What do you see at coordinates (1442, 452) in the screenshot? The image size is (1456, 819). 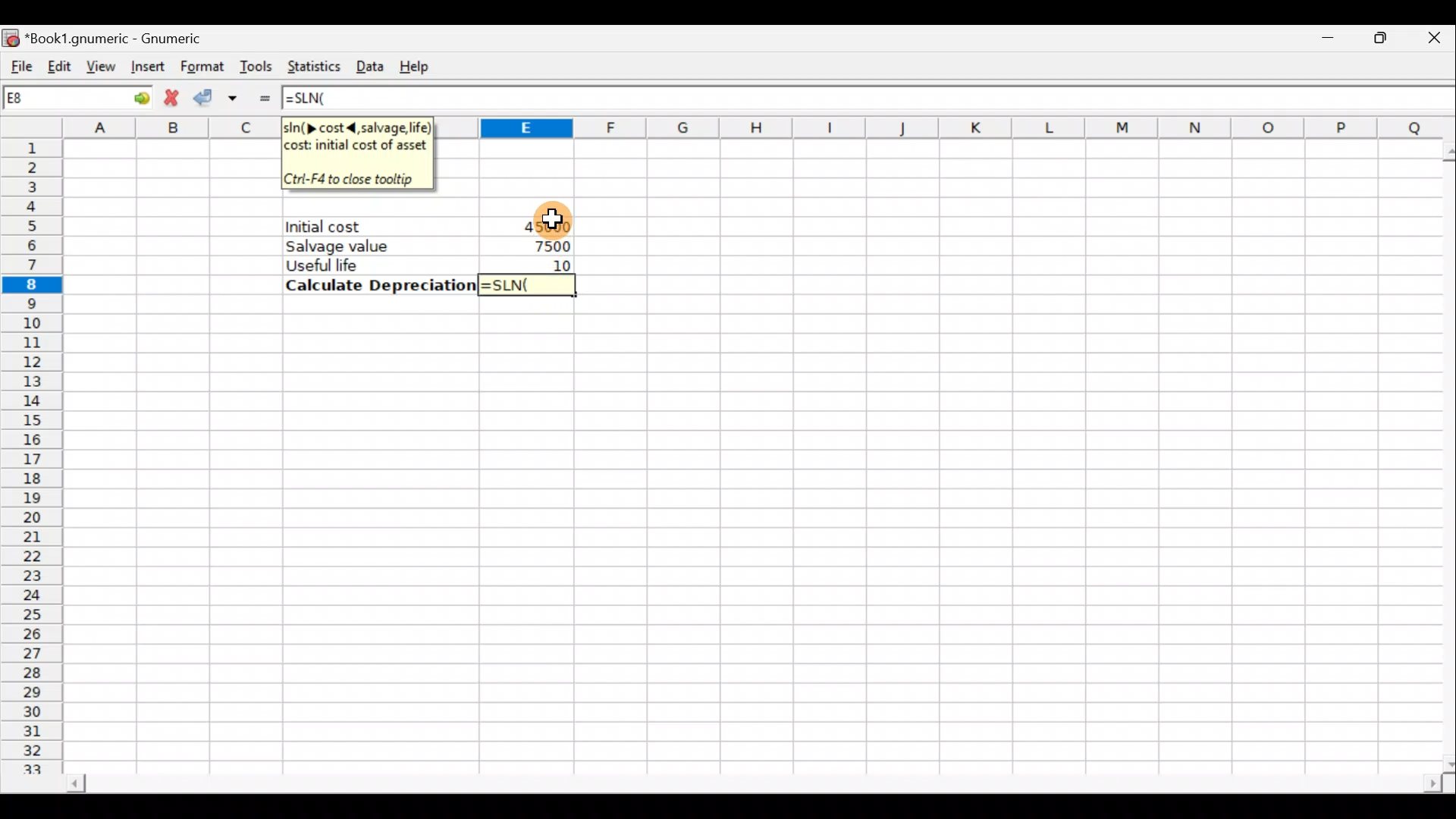 I see `Scroll bar` at bounding box center [1442, 452].